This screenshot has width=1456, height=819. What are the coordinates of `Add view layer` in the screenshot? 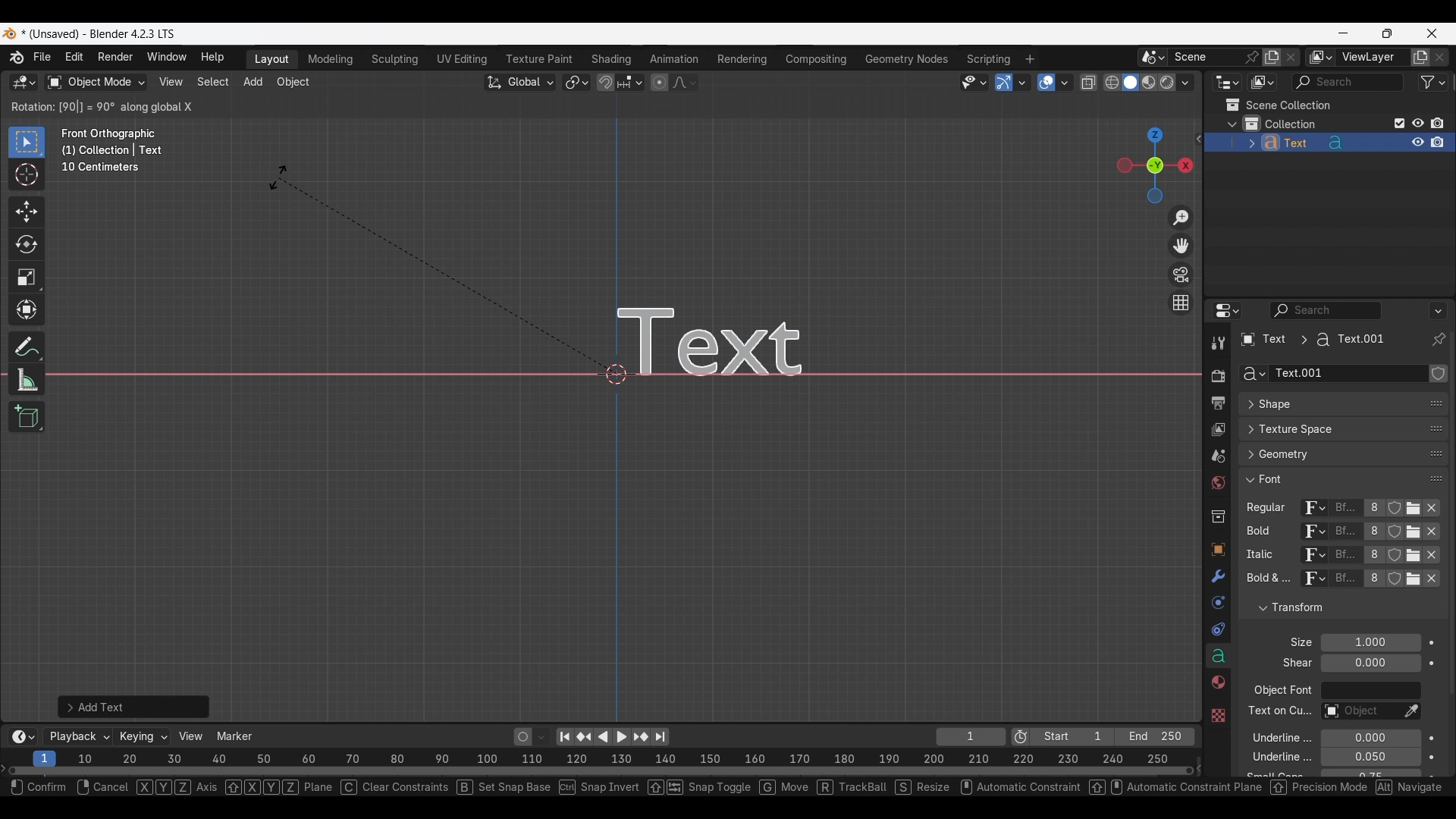 It's located at (1420, 58).